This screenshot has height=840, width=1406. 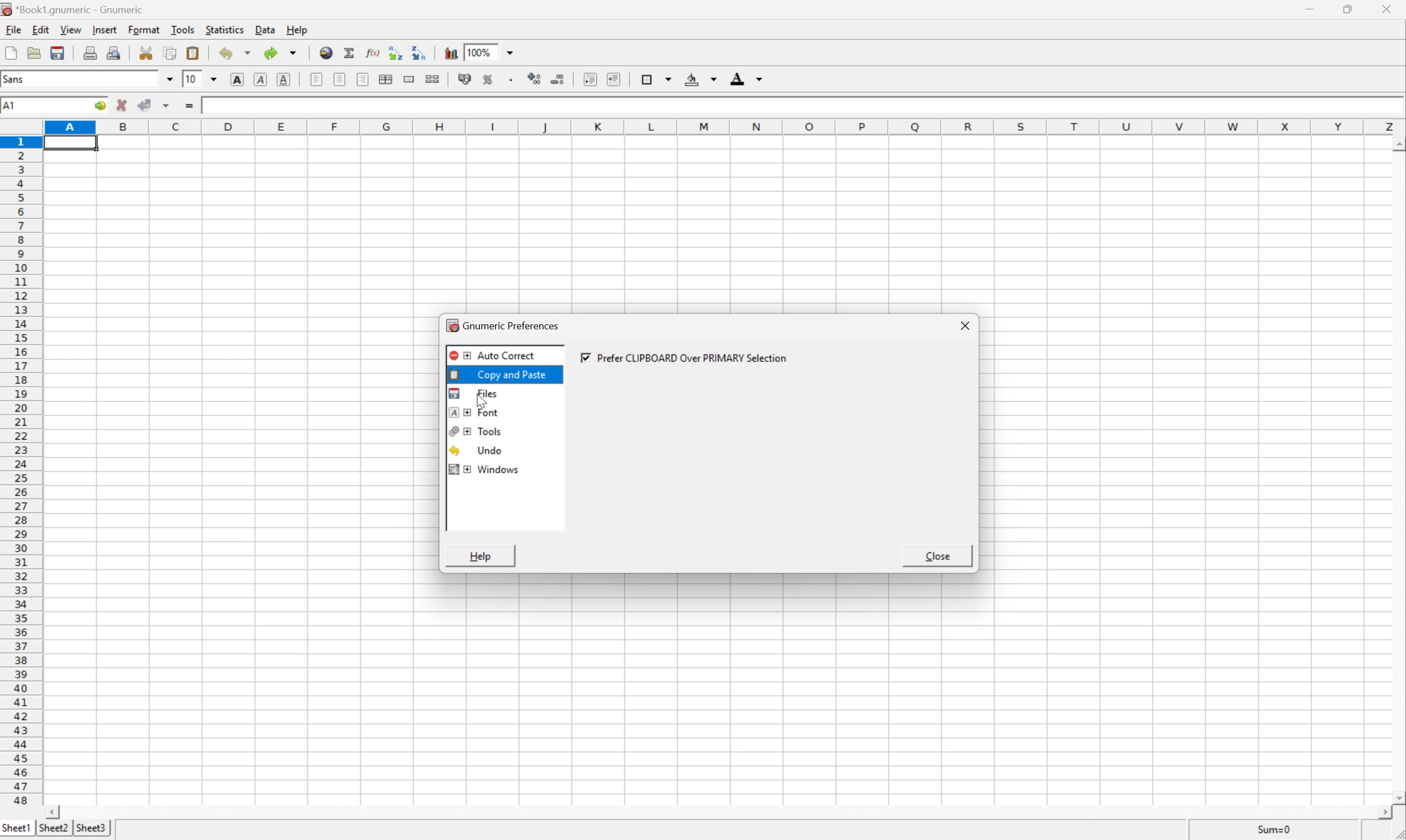 I want to click on 100%, so click(x=490, y=52).